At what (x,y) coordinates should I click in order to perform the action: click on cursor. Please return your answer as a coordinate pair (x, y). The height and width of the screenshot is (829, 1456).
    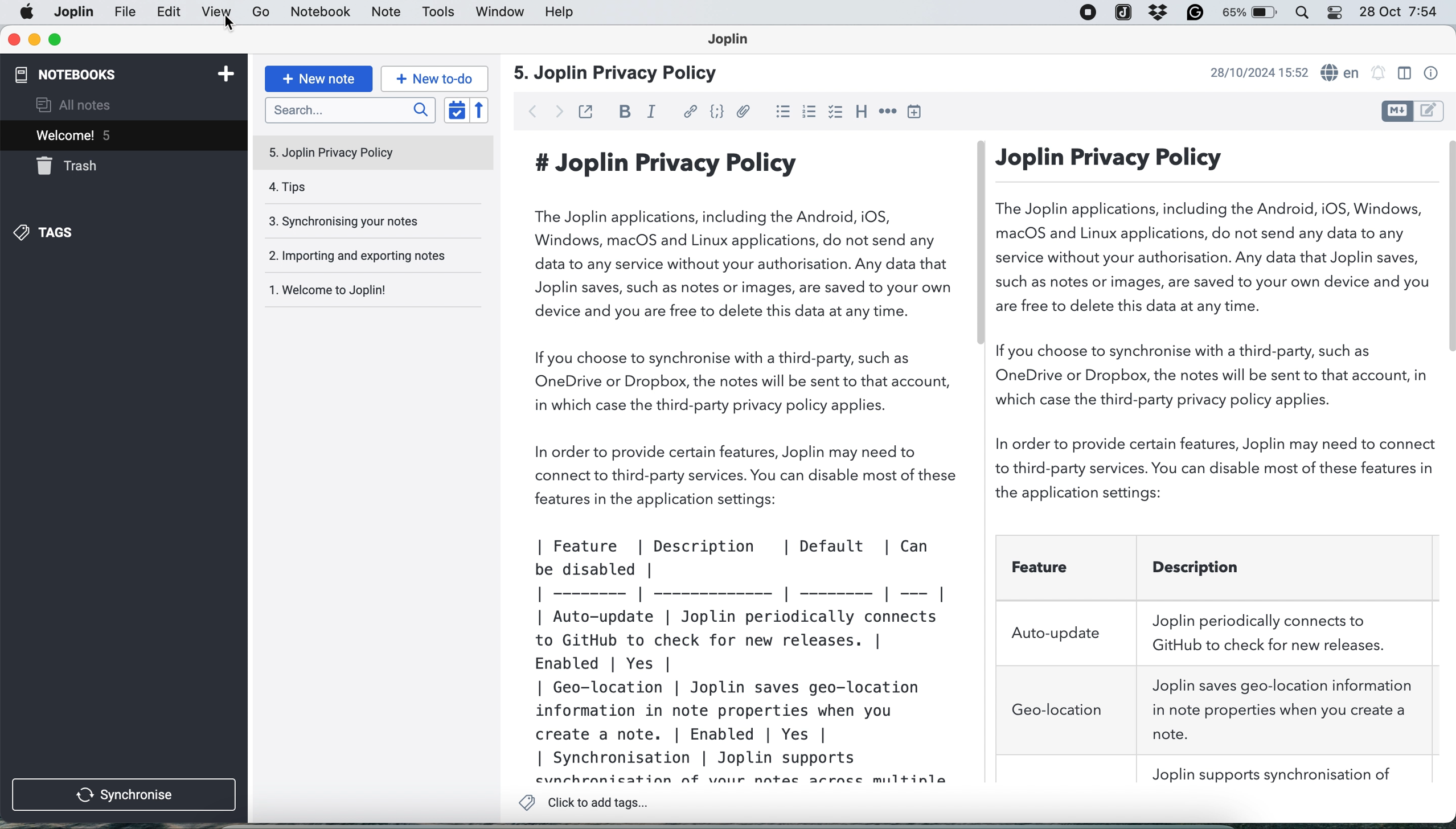
    Looking at the image, I should click on (229, 27).